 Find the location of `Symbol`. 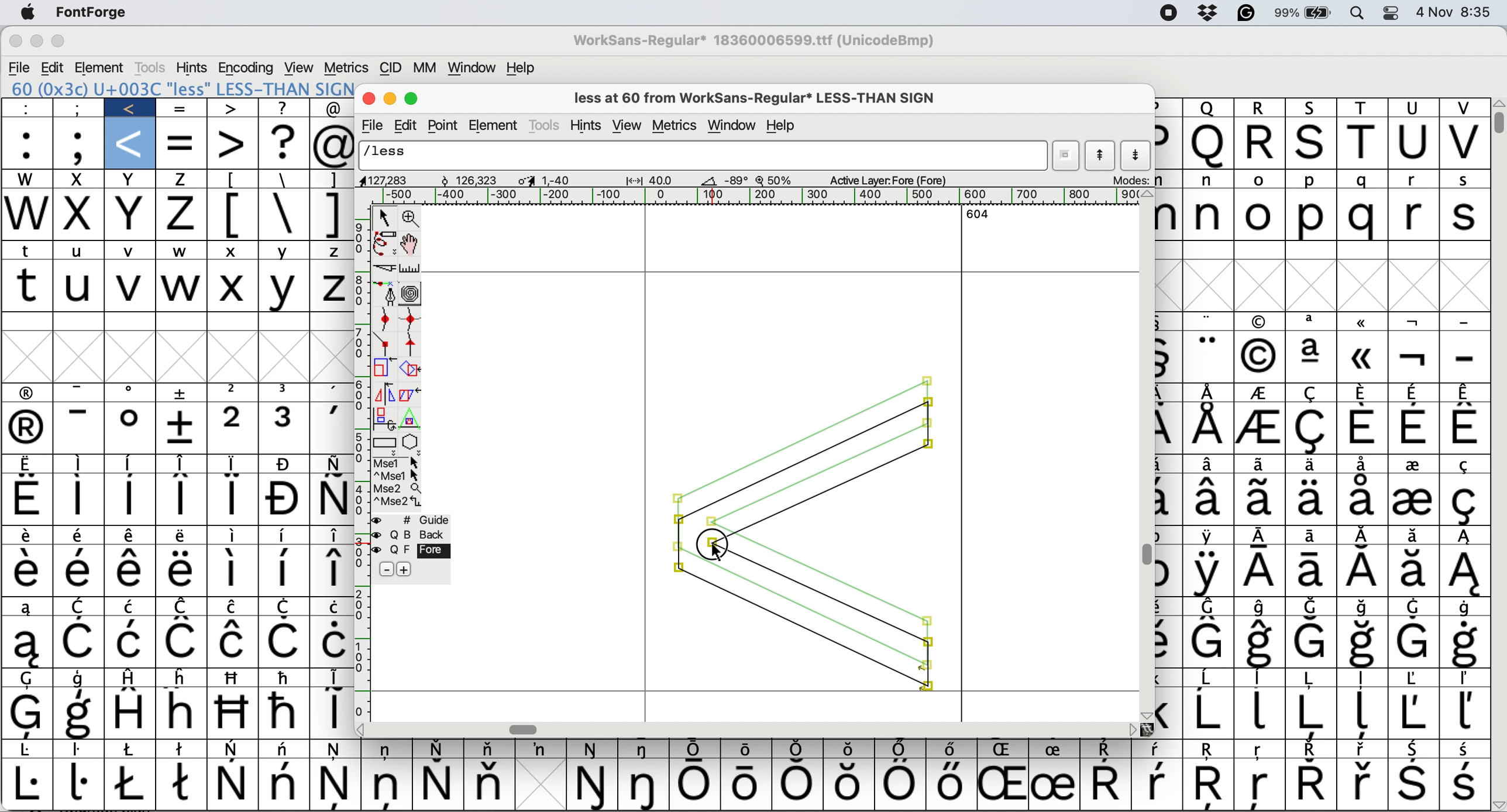

Symbol is located at coordinates (1361, 500).